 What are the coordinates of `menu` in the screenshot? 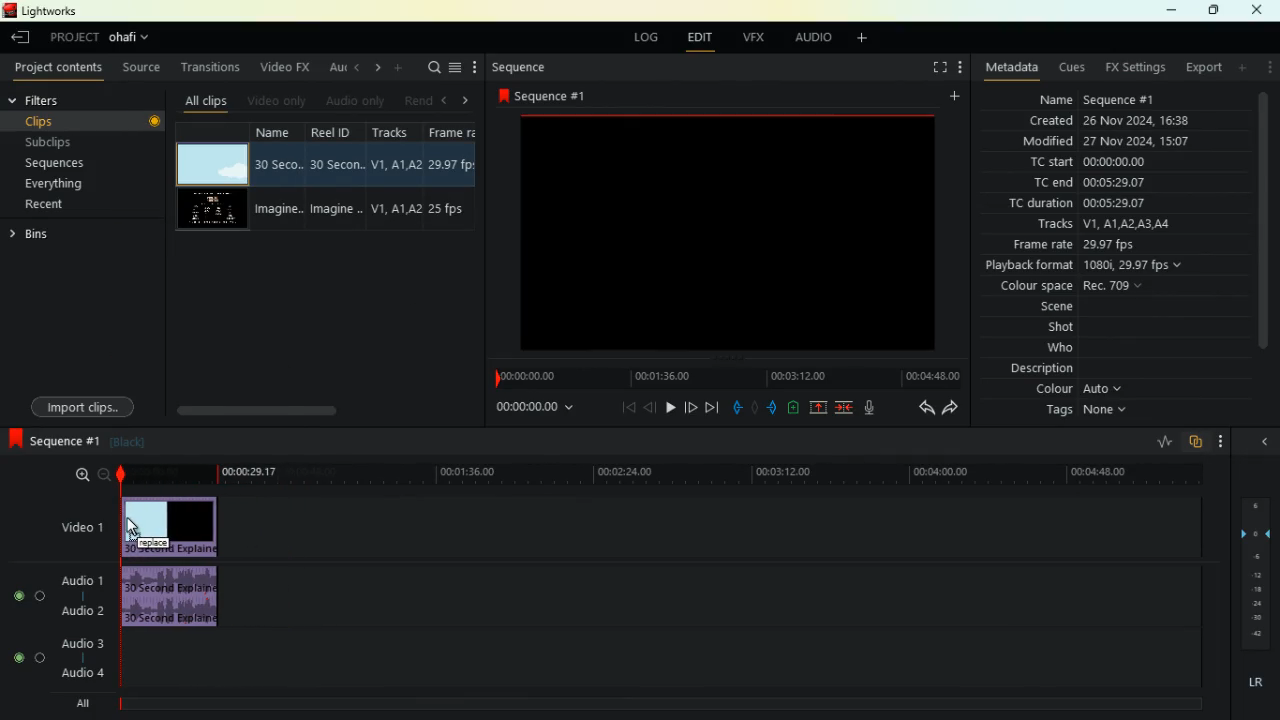 It's located at (455, 70).